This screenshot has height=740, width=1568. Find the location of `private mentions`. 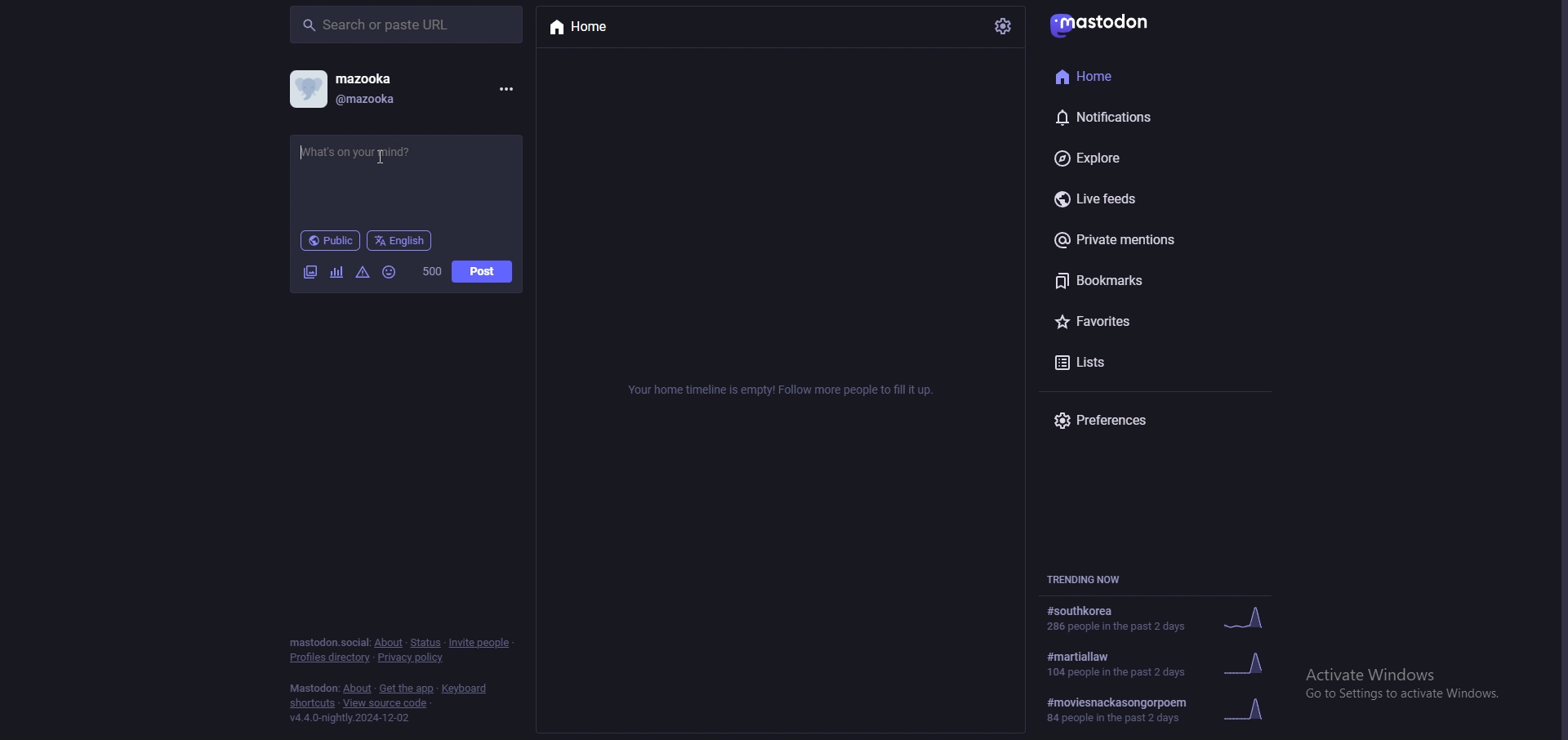

private mentions is located at coordinates (1144, 242).